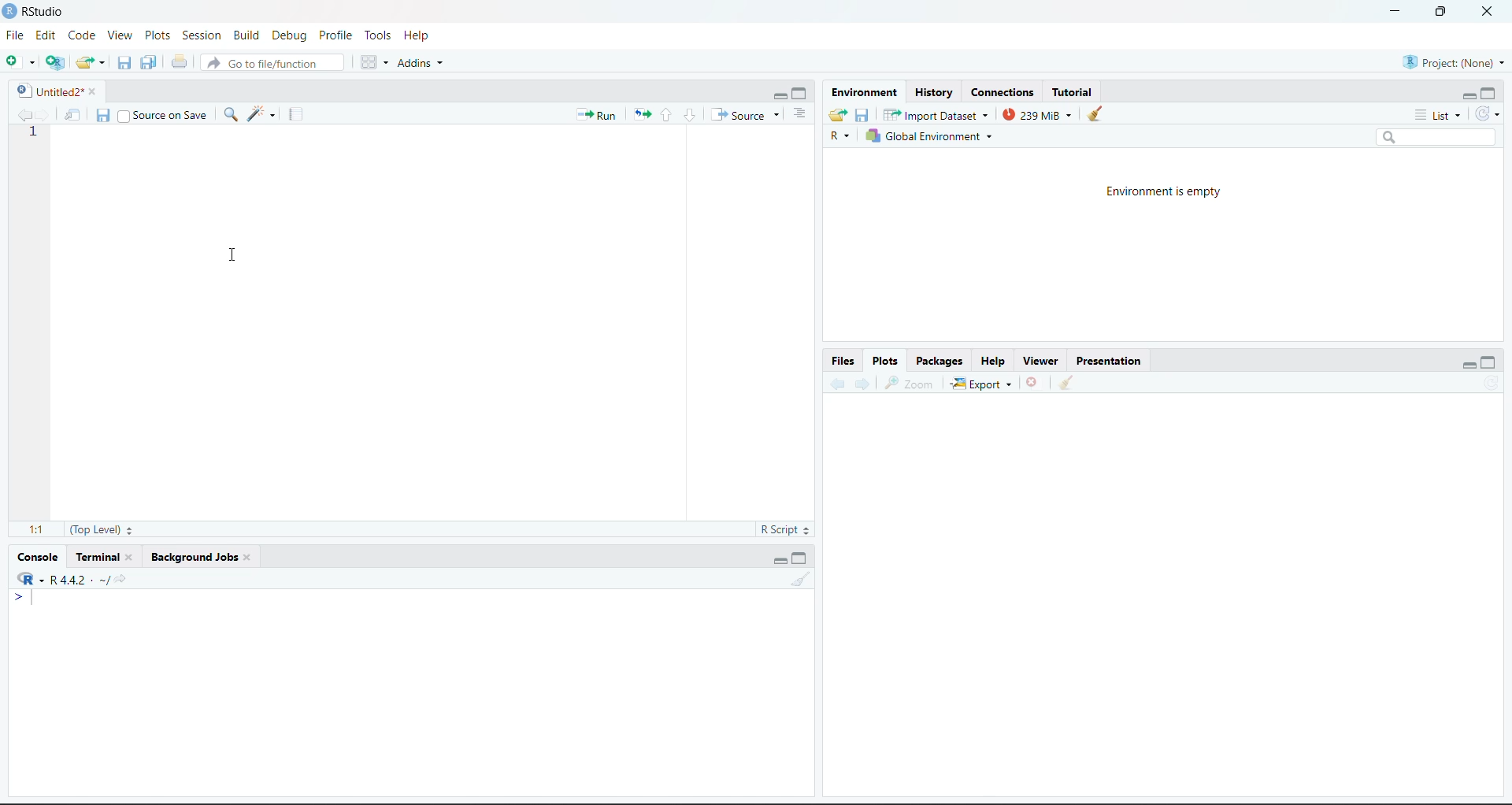  I want to click on Minimize, so click(778, 94).